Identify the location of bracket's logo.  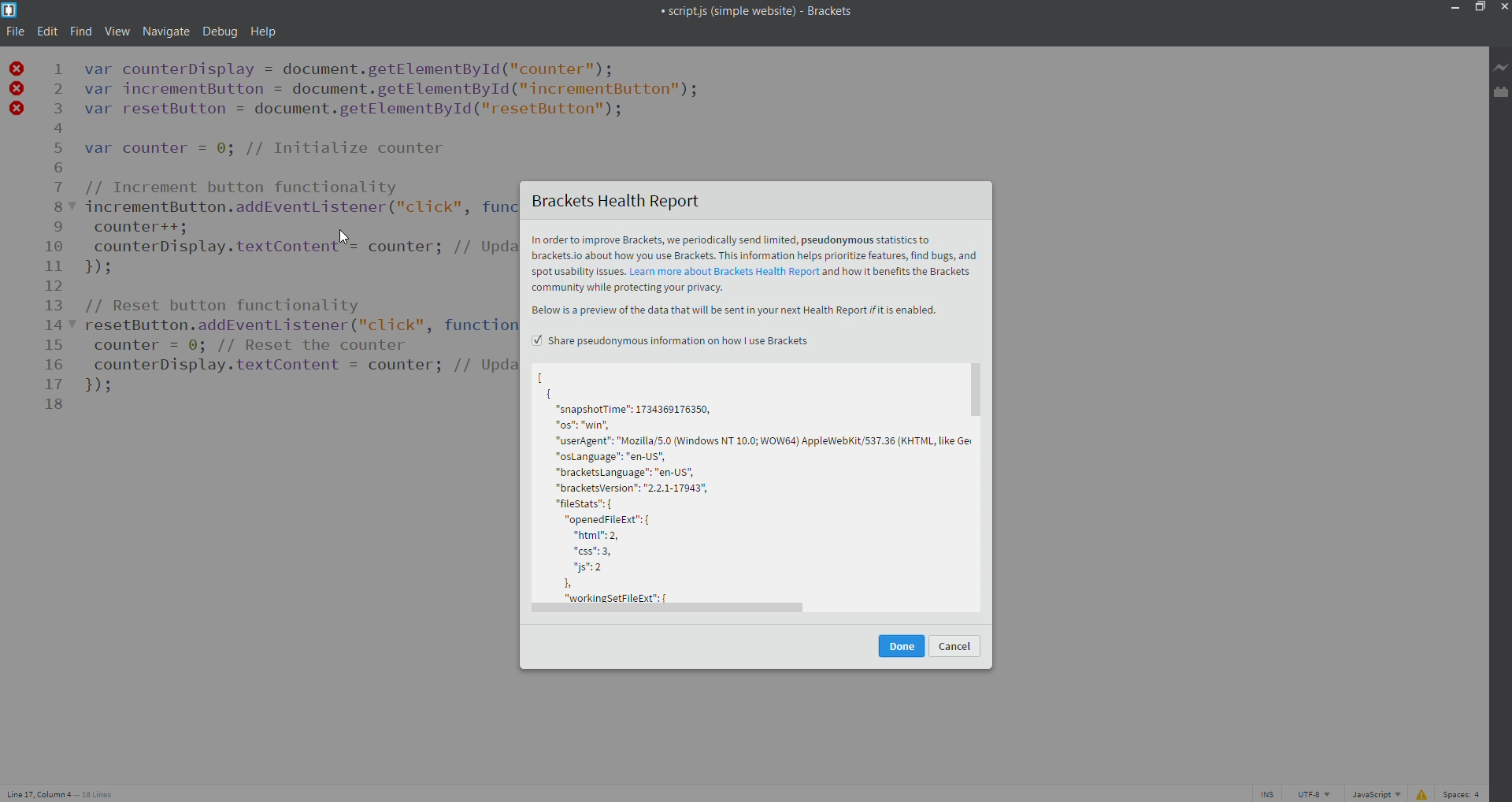
(9, 9).